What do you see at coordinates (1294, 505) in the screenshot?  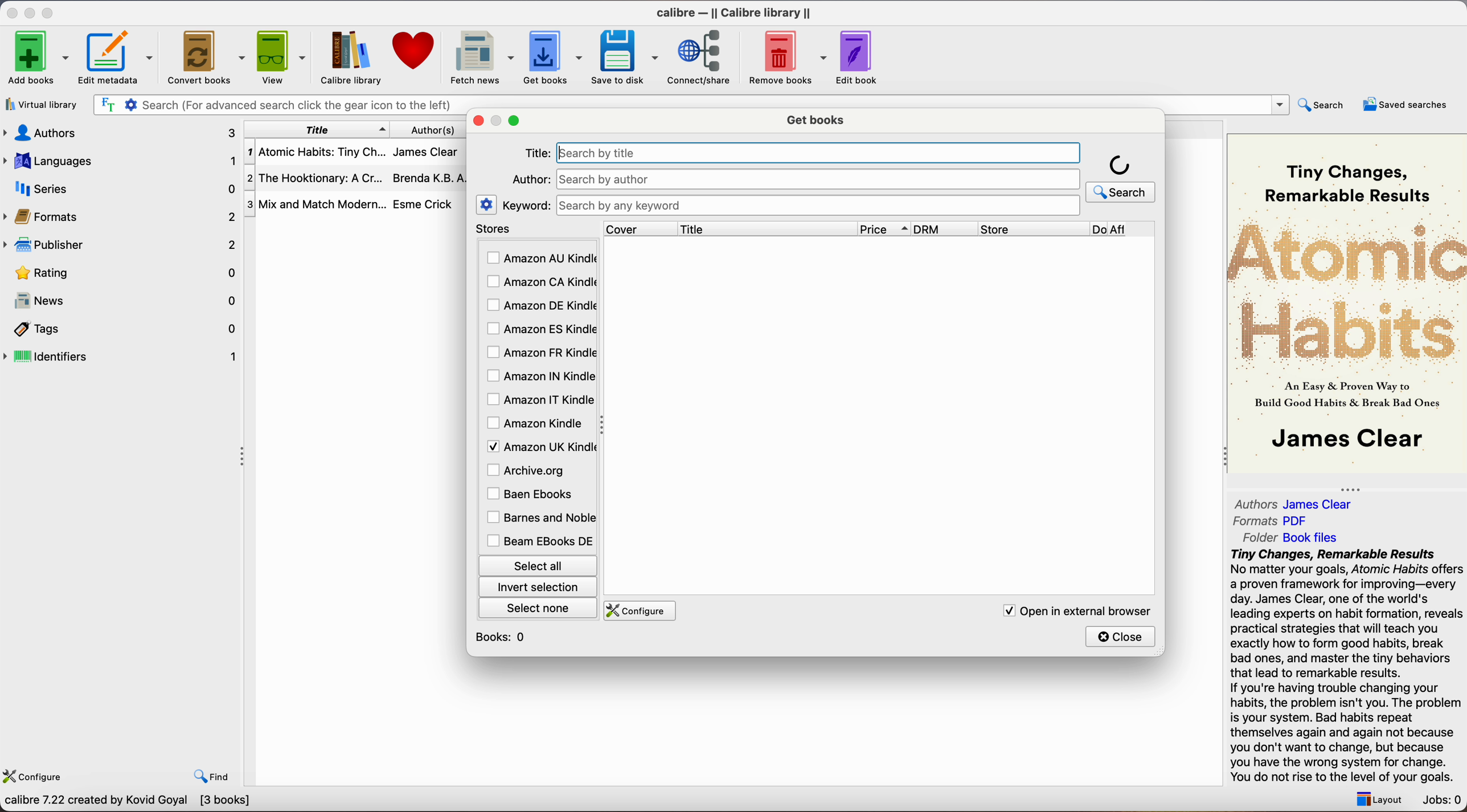 I see `Authors James Clear` at bounding box center [1294, 505].